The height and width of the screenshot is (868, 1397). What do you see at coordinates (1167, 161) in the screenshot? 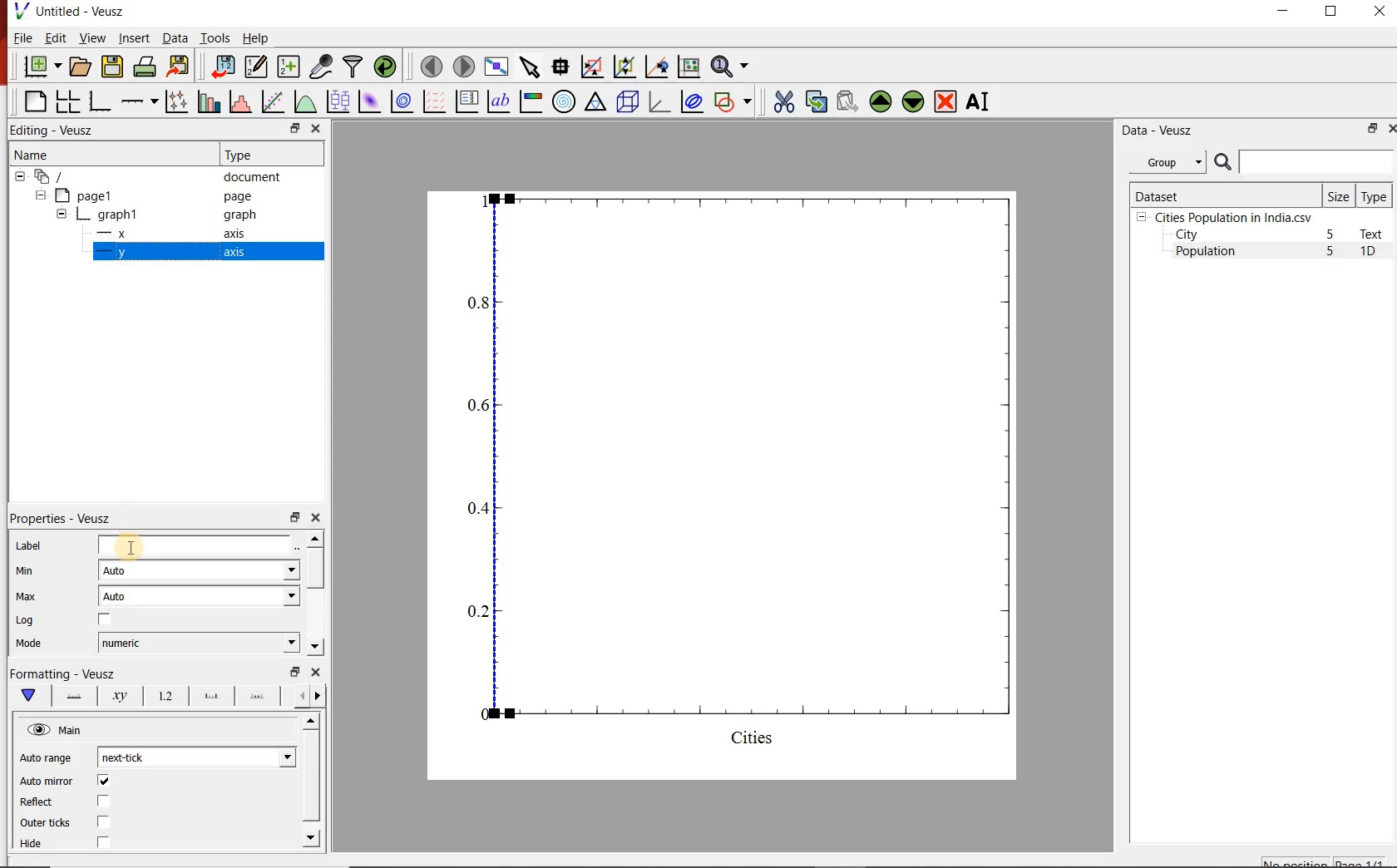
I see `Group datasets with property given` at bounding box center [1167, 161].